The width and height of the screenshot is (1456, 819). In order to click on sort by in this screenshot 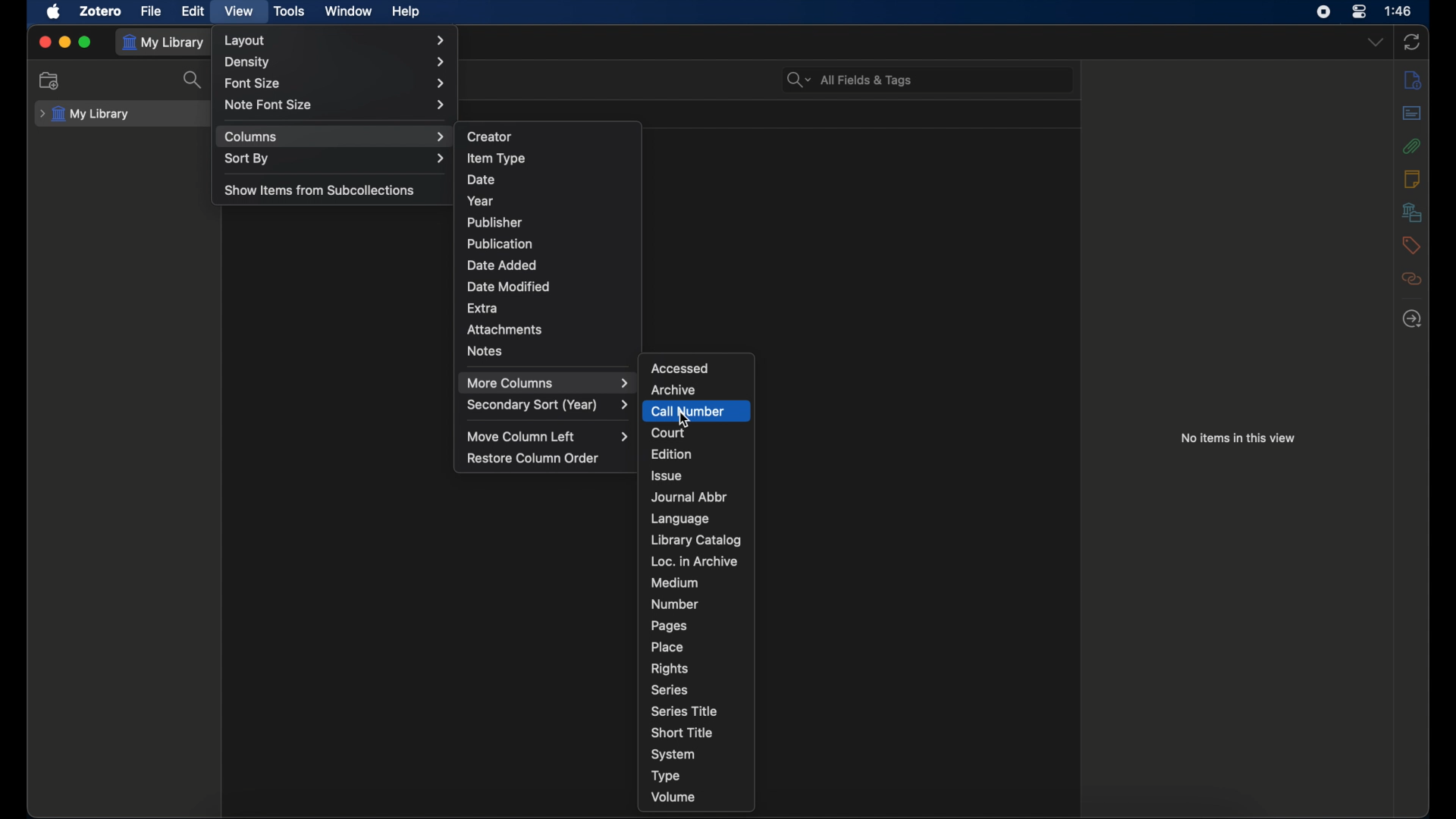, I will do `click(335, 159)`.